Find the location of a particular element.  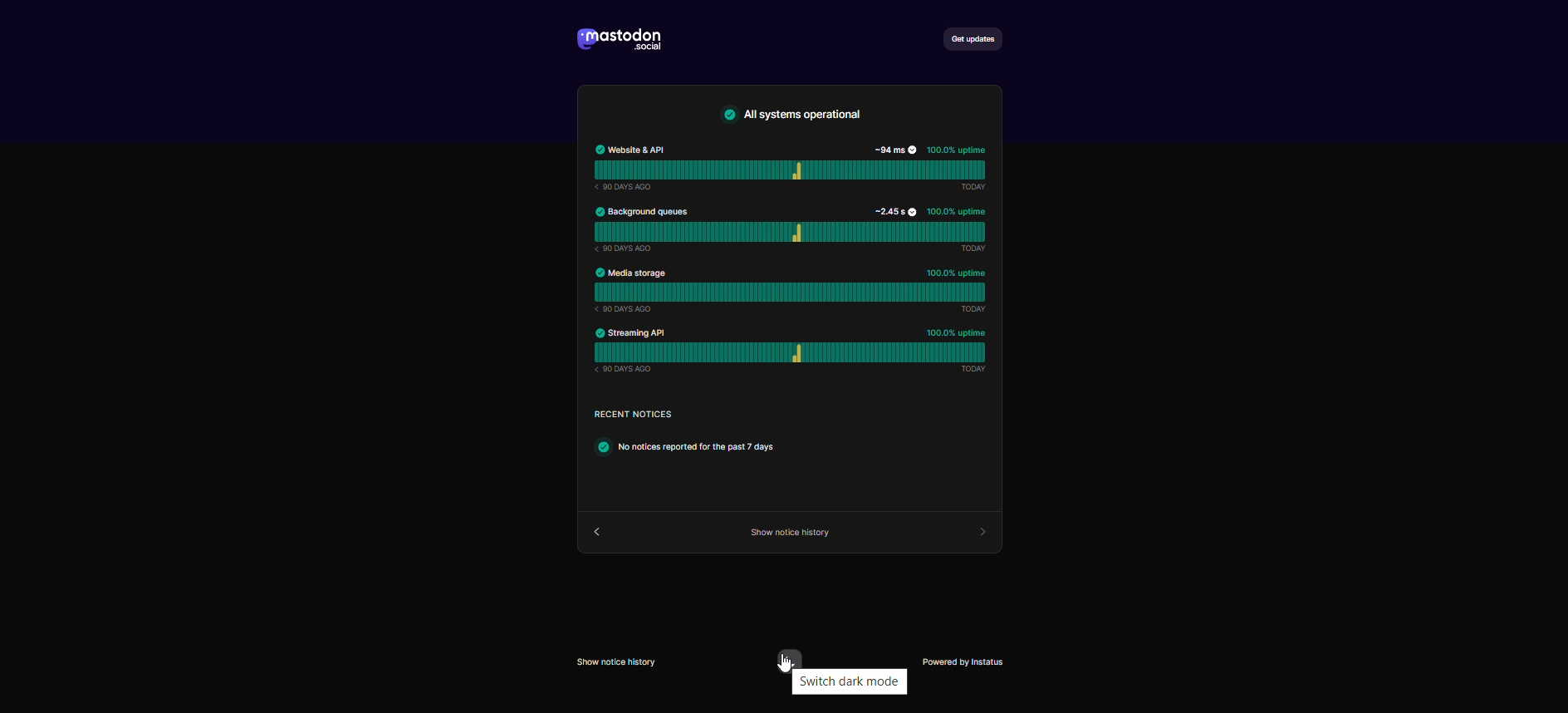

switch to dark more is located at coordinates (790, 661).